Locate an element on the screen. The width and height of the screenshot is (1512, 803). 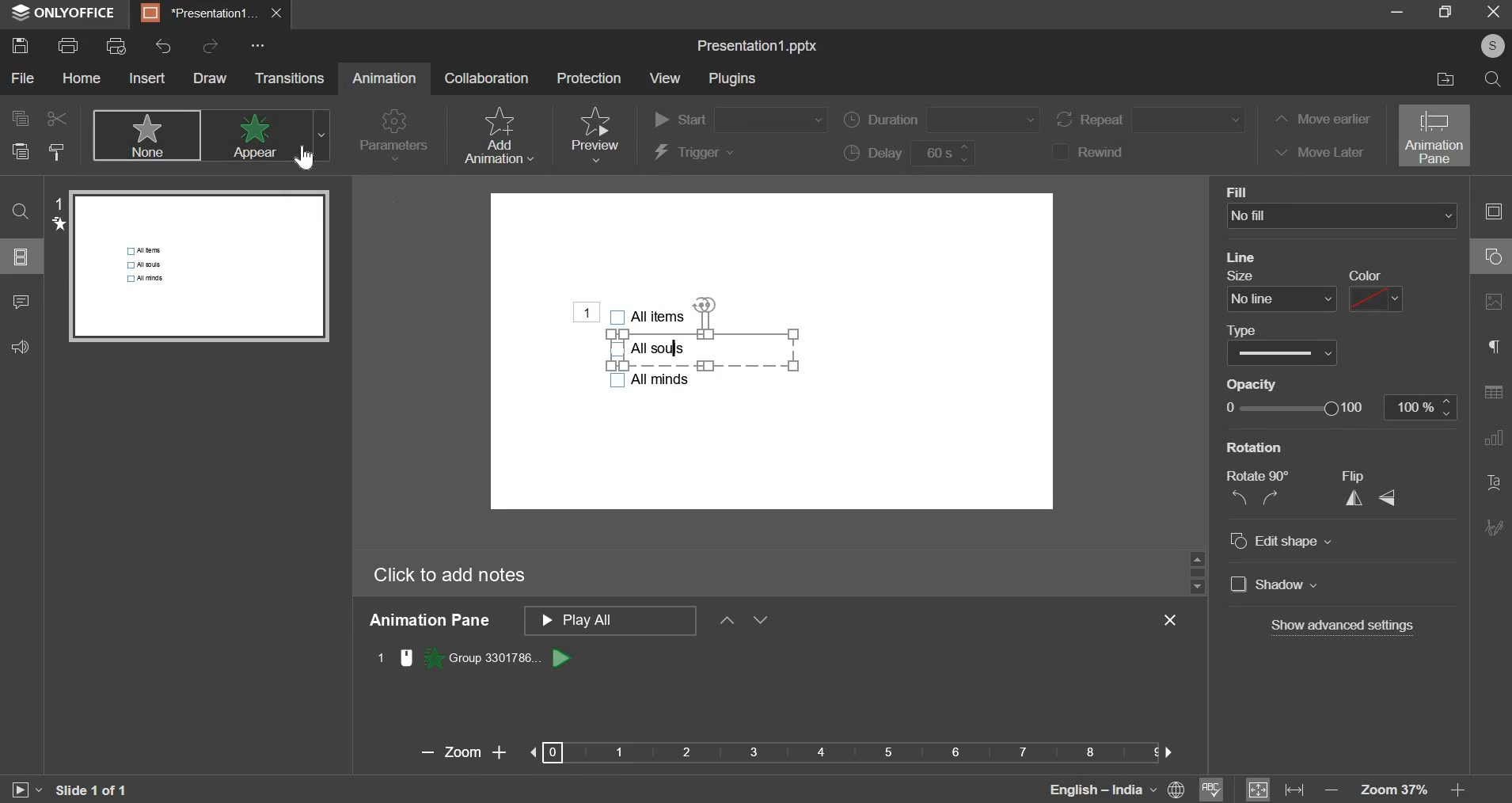
Cursor is located at coordinates (304, 158).